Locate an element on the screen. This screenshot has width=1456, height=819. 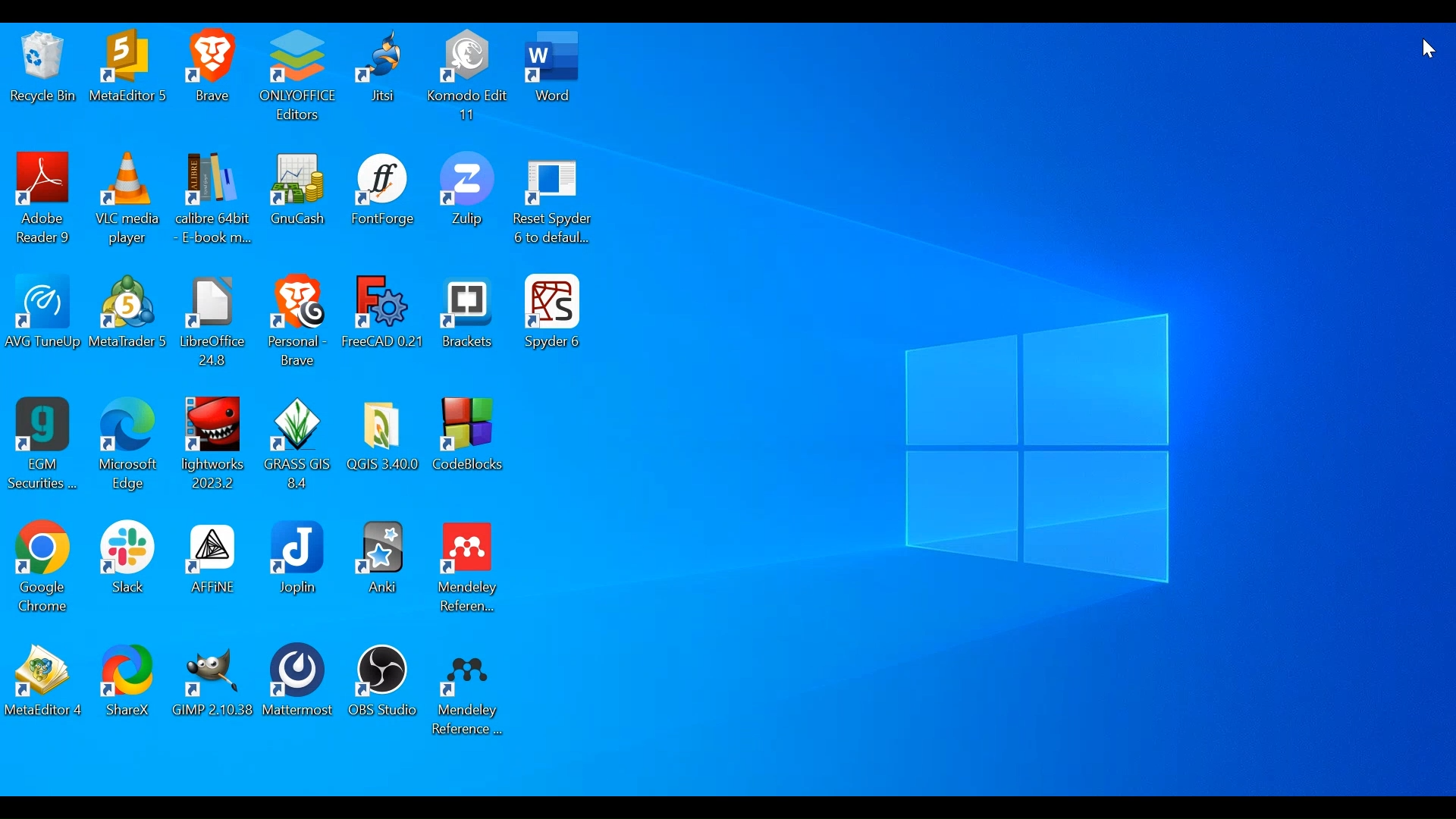
Mendeley Reference is located at coordinates (467, 692).